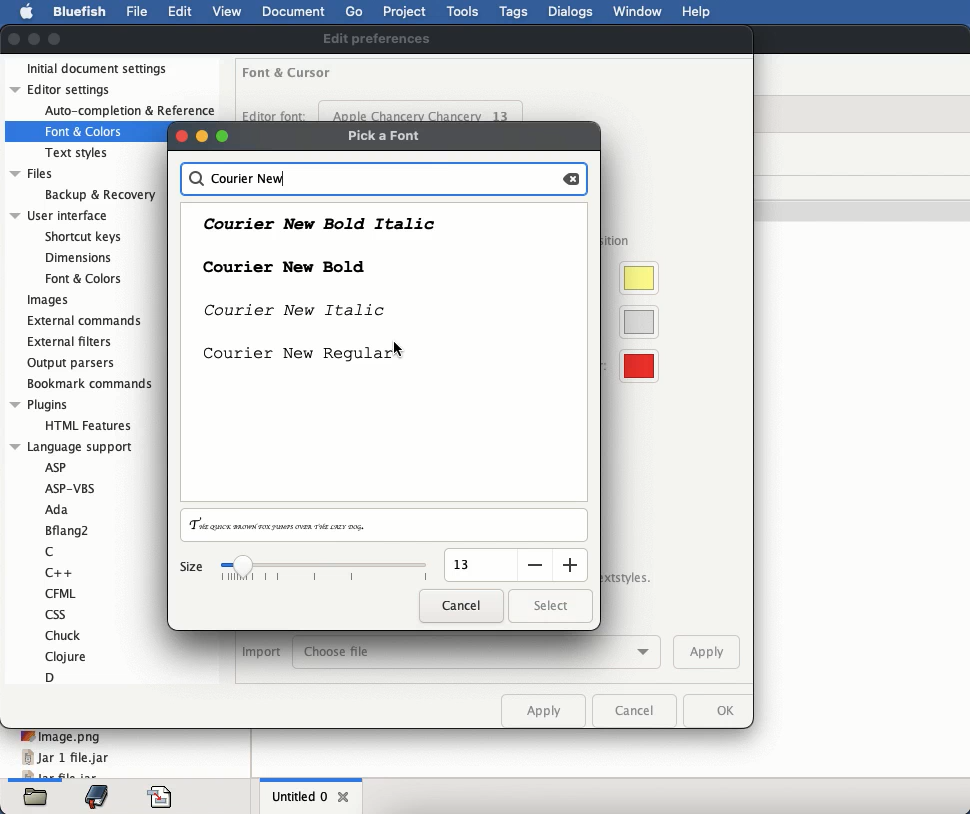  Describe the element at coordinates (696, 12) in the screenshot. I see `help` at that location.